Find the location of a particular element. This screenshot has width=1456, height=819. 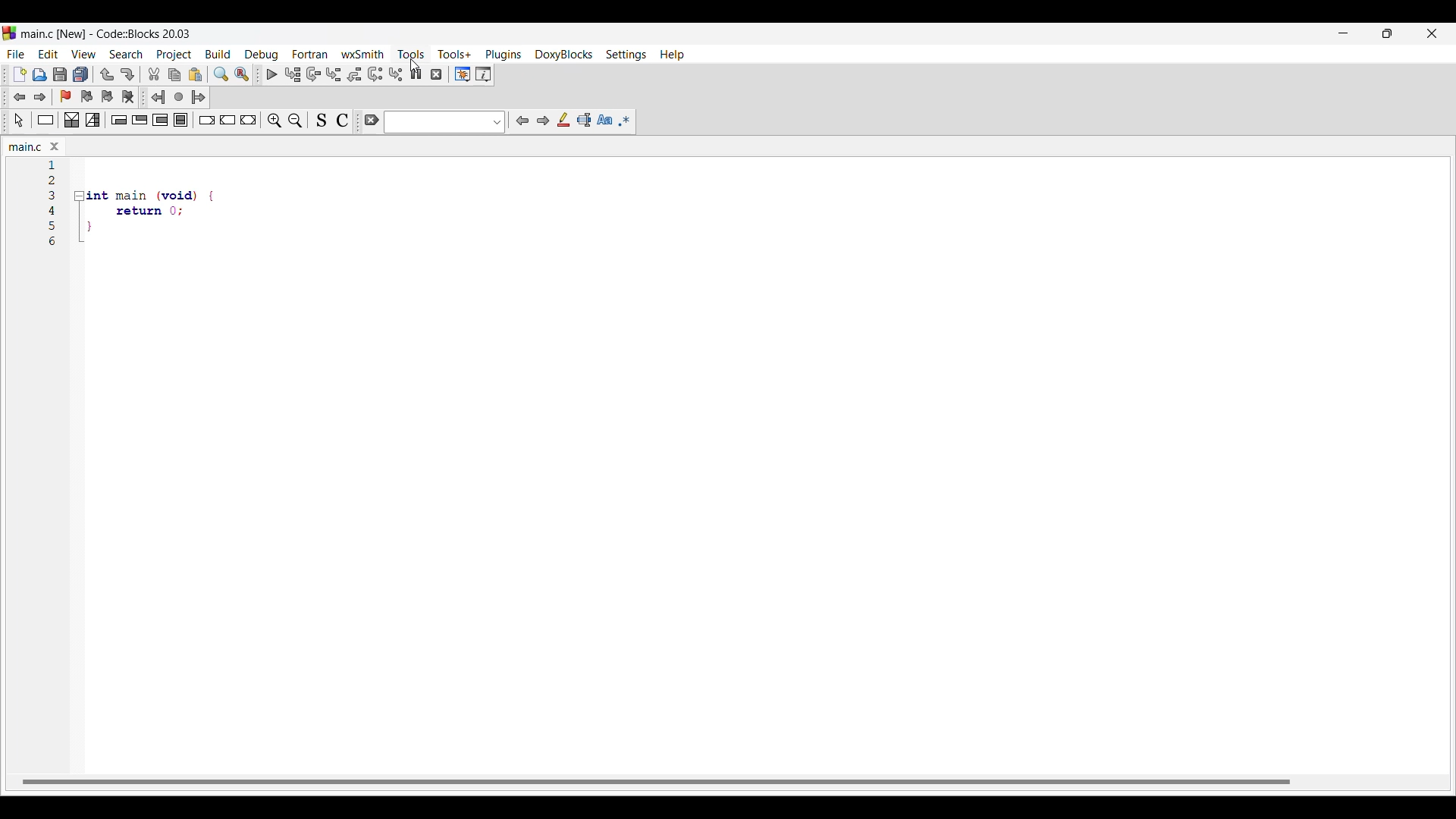

Instruction is located at coordinates (45, 120).